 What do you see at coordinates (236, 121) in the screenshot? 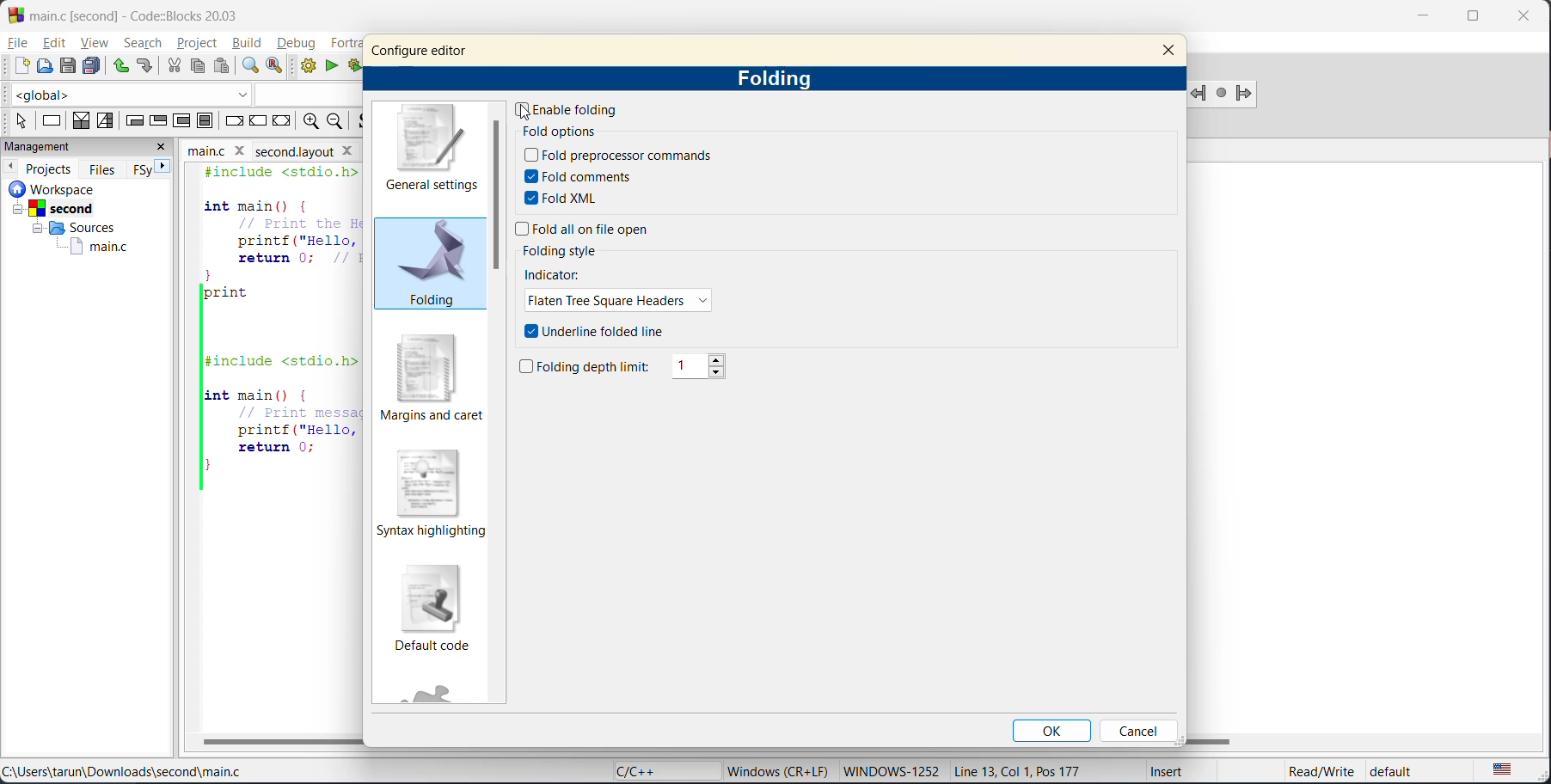
I see `break instruction` at bounding box center [236, 121].